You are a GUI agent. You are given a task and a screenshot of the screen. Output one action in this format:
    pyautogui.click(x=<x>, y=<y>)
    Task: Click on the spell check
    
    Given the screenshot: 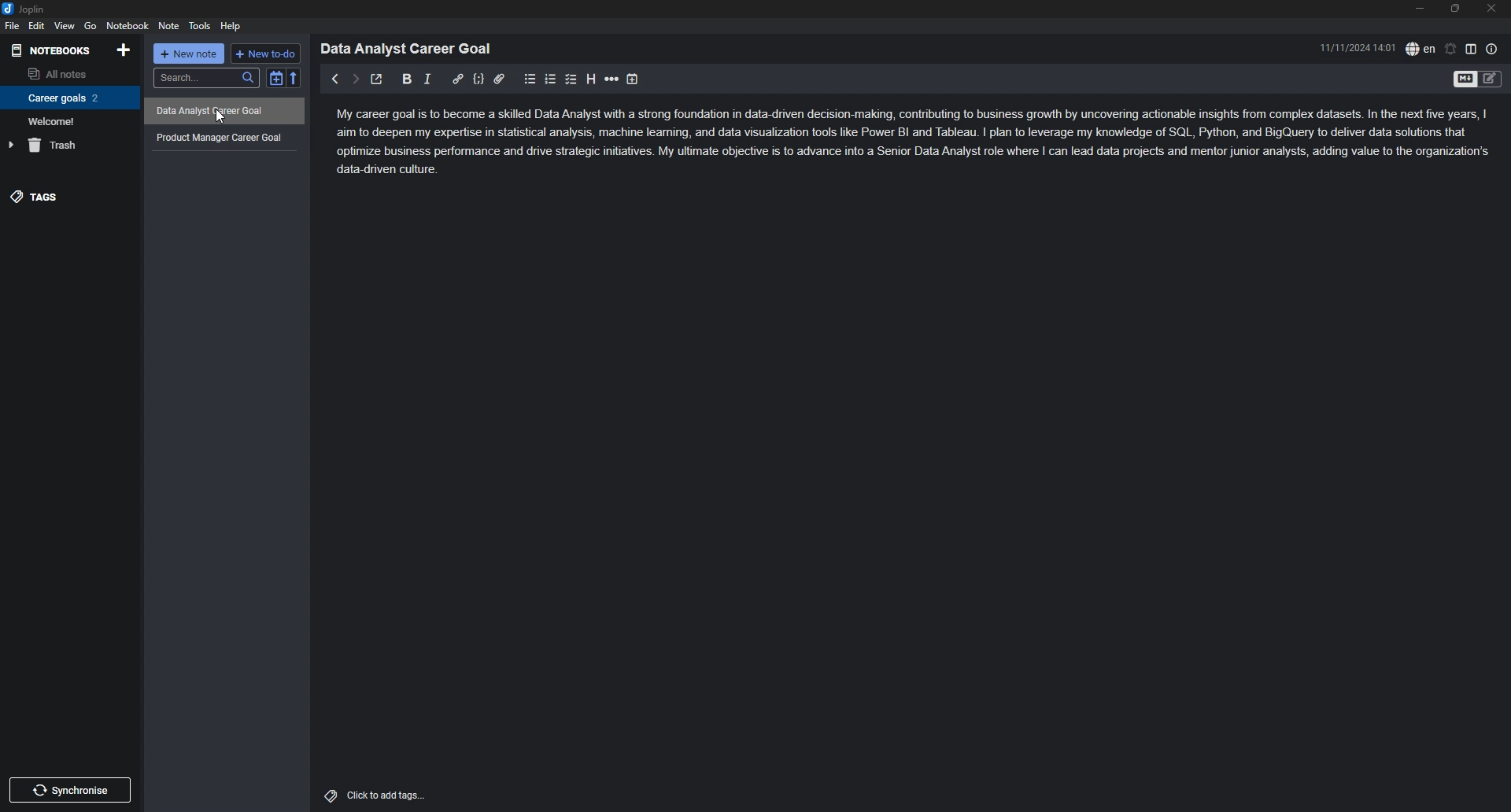 What is the action you would take?
    pyautogui.click(x=1420, y=49)
    